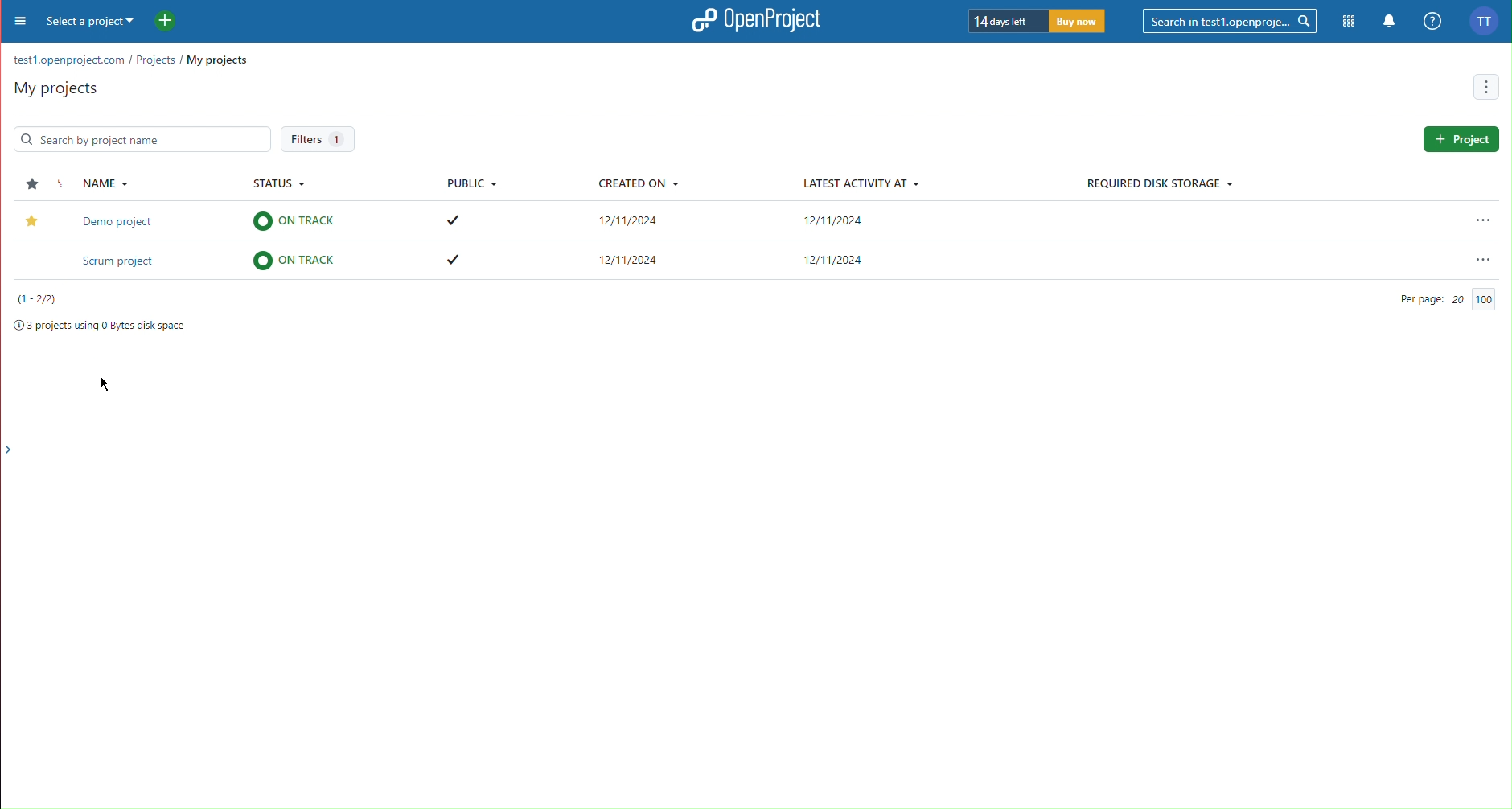 This screenshot has height=809, width=1512. Describe the element at coordinates (1429, 19) in the screenshot. I see `Help` at that location.